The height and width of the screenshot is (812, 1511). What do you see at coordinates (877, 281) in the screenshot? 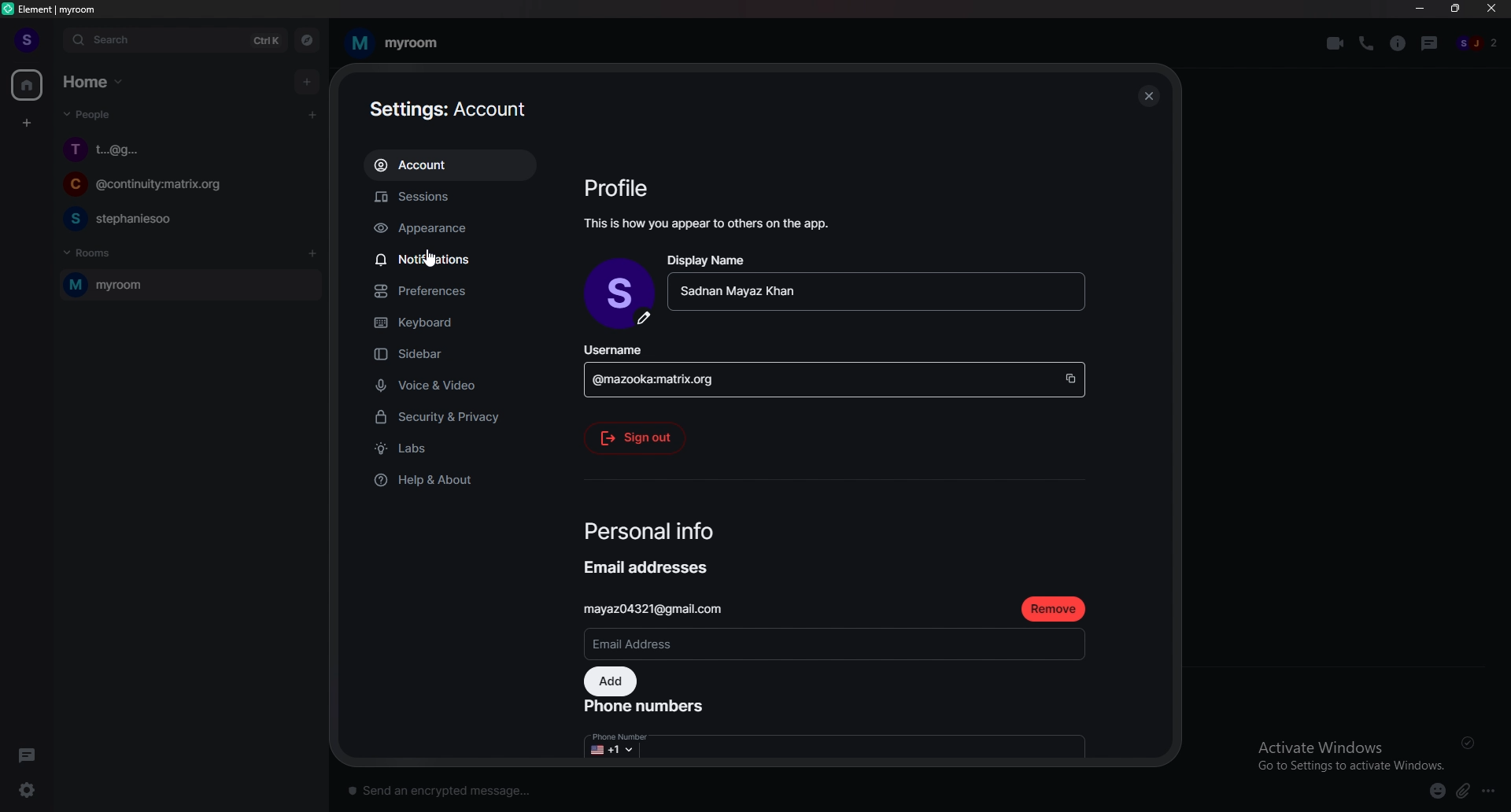
I see `display name` at bounding box center [877, 281].